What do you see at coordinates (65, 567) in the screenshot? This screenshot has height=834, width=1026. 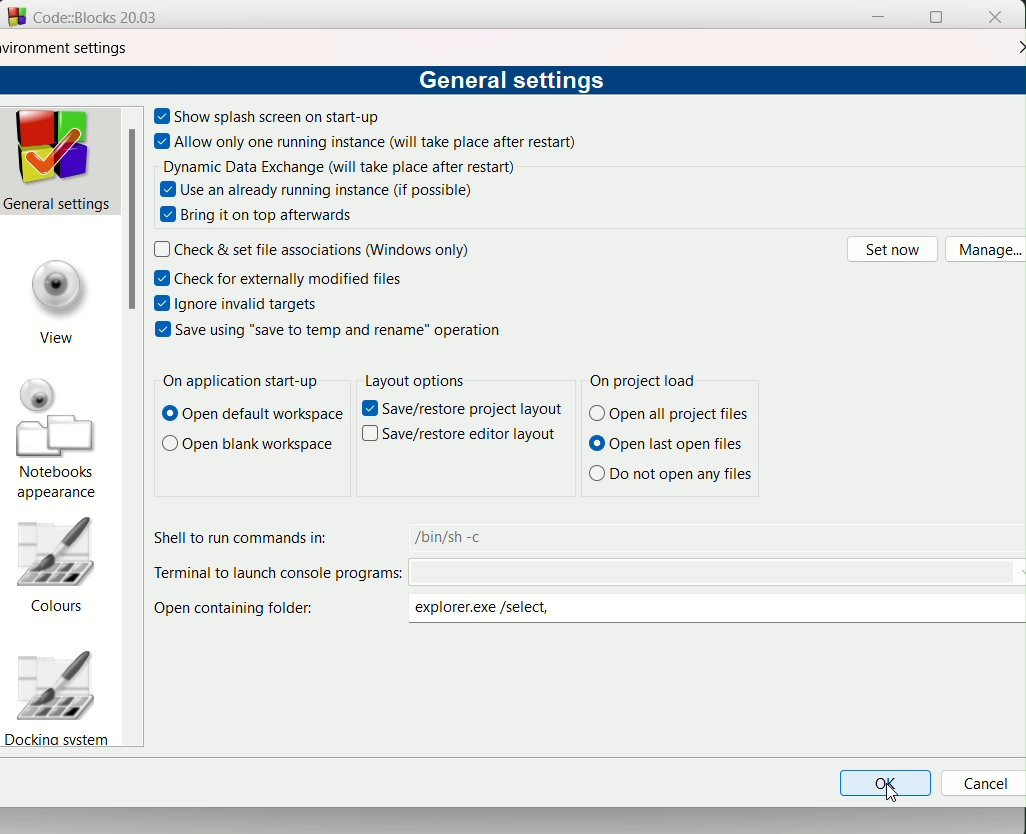 I see `colours` at bounding box center [65, 567].